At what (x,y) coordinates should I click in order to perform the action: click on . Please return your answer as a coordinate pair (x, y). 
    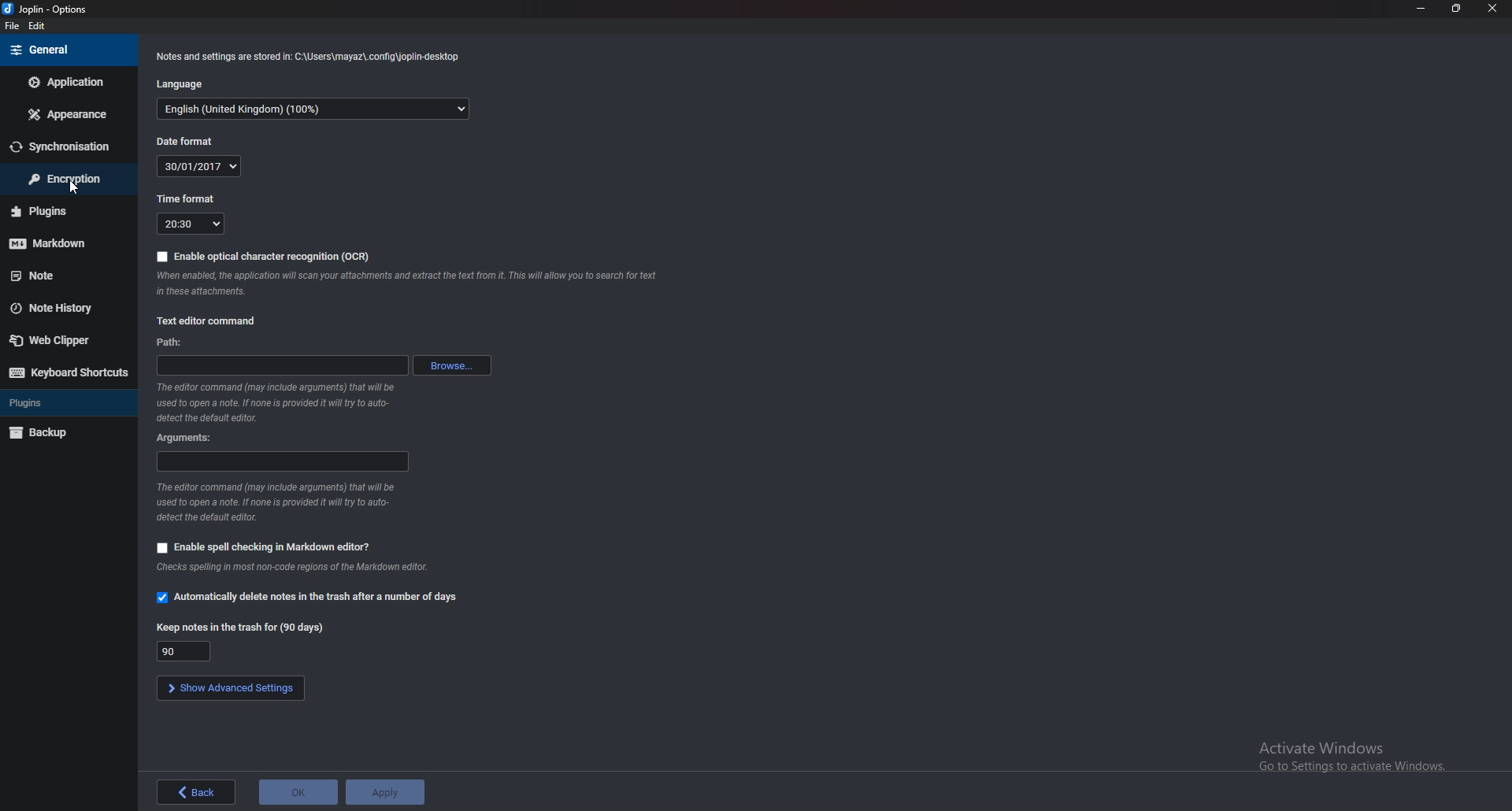
    Looking at the image, I should click on (280, 404).